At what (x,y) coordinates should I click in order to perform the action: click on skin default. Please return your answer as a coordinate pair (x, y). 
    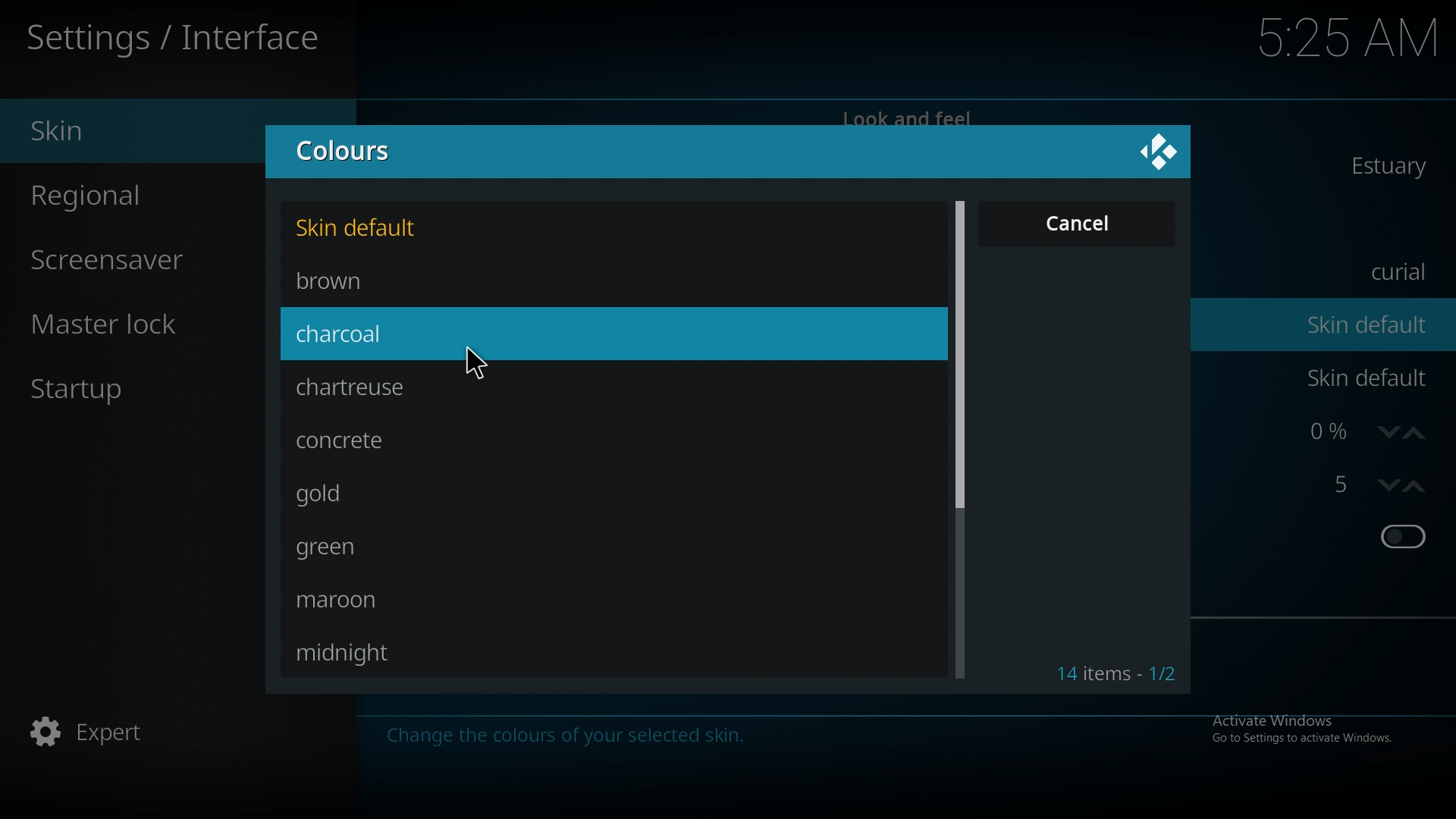
    Looking at the image, I should click on (371, 227).